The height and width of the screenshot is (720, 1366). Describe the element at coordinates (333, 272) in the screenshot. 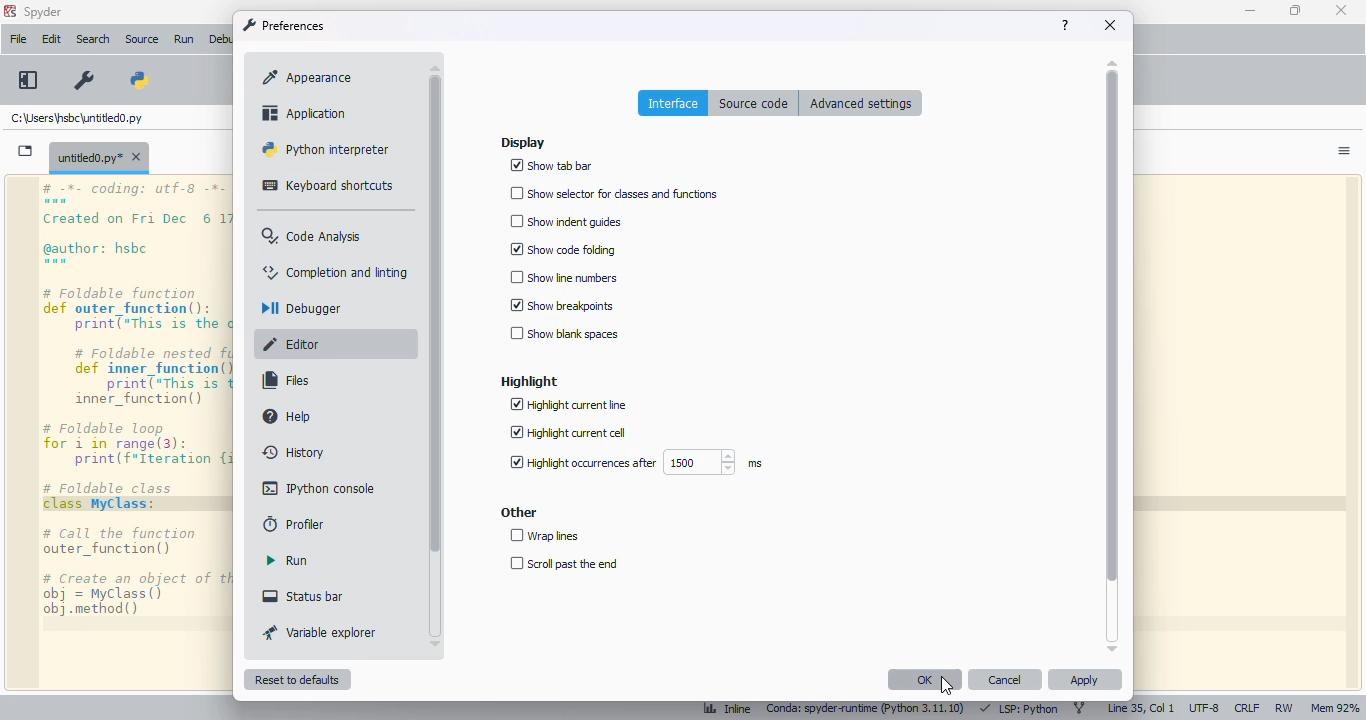

I see `completion and linting` at that location.